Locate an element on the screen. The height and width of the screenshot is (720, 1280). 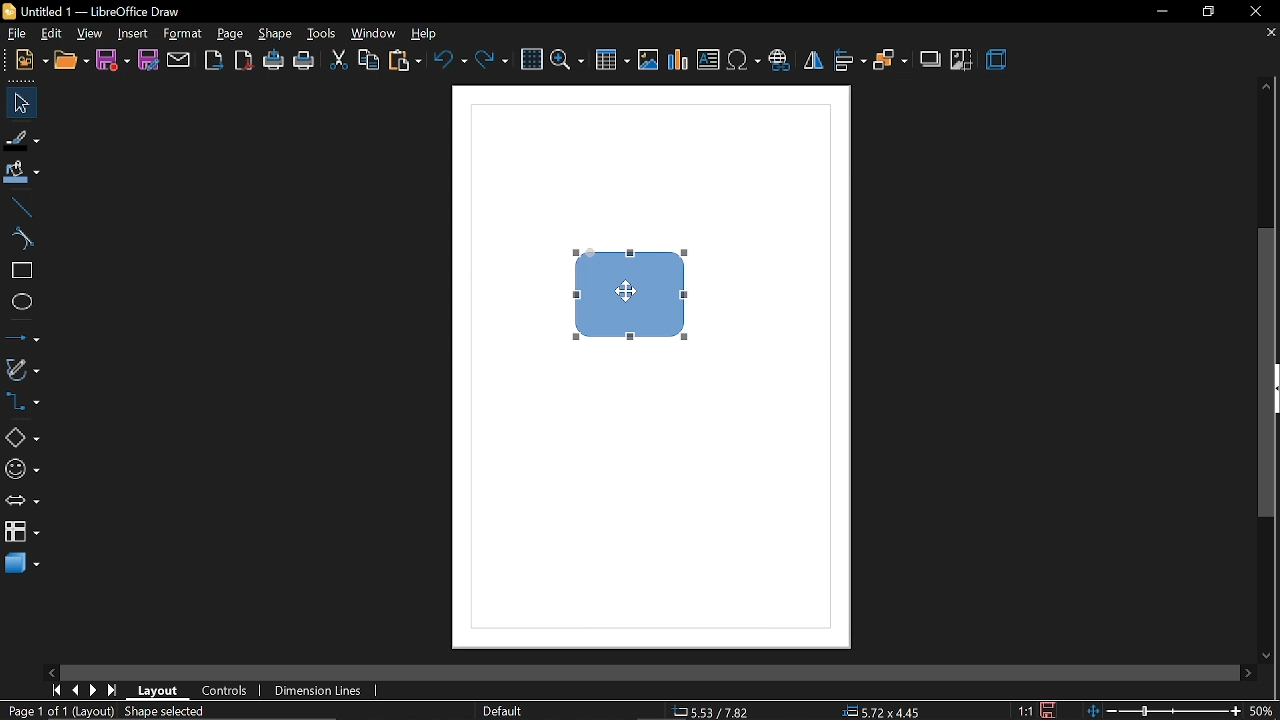
cursor is located at coordinates (627, 290).